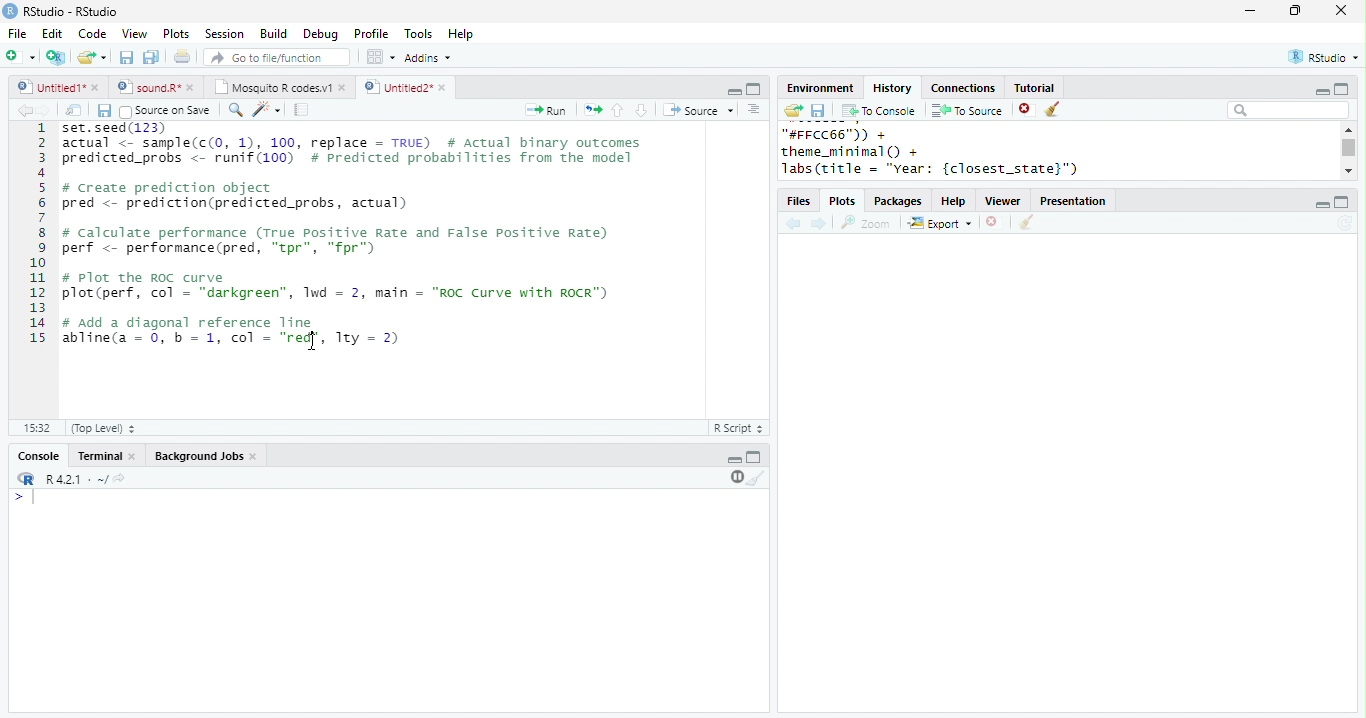 Image resolution: width=1366 pixels, height=718 pixels. Describe the element at coordinates (315, 344) in the screenshot. I see `cursor` at that location.